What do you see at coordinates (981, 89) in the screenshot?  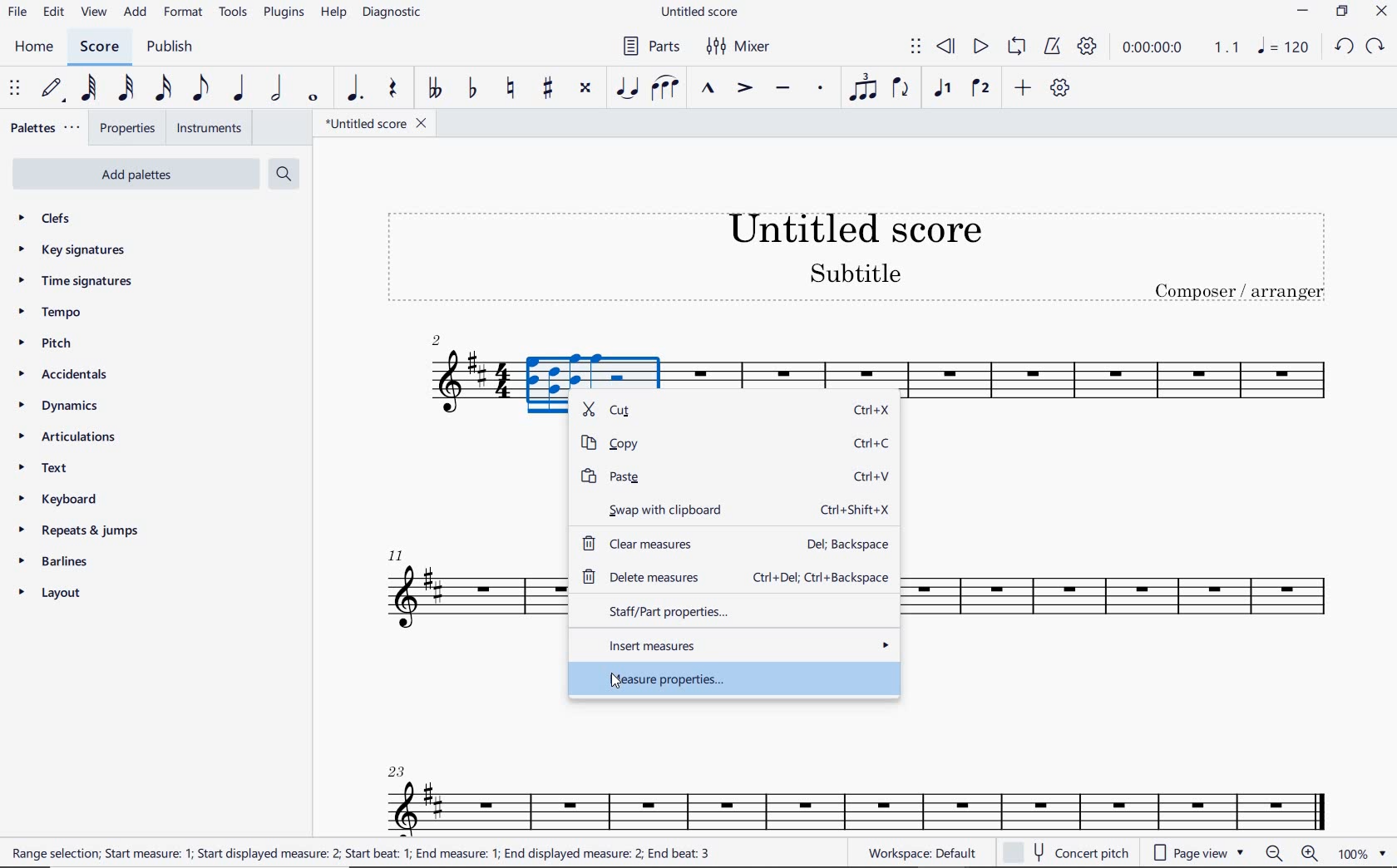 I see `VOICE 2` at bounding box center [981, 89].